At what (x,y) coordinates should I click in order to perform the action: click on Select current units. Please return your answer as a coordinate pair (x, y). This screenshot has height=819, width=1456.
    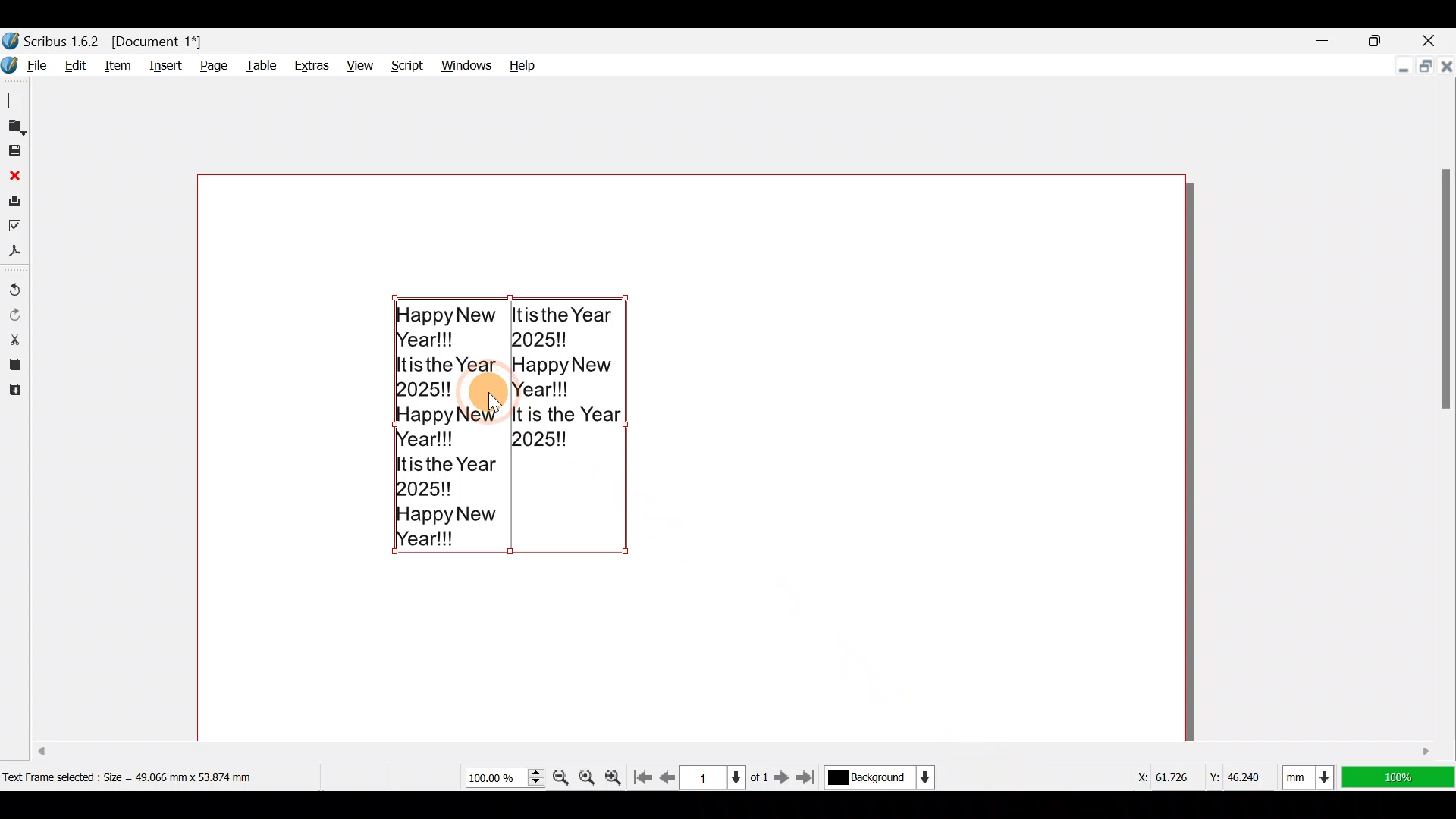
    Looking at the image, I should click on (1312, 774).